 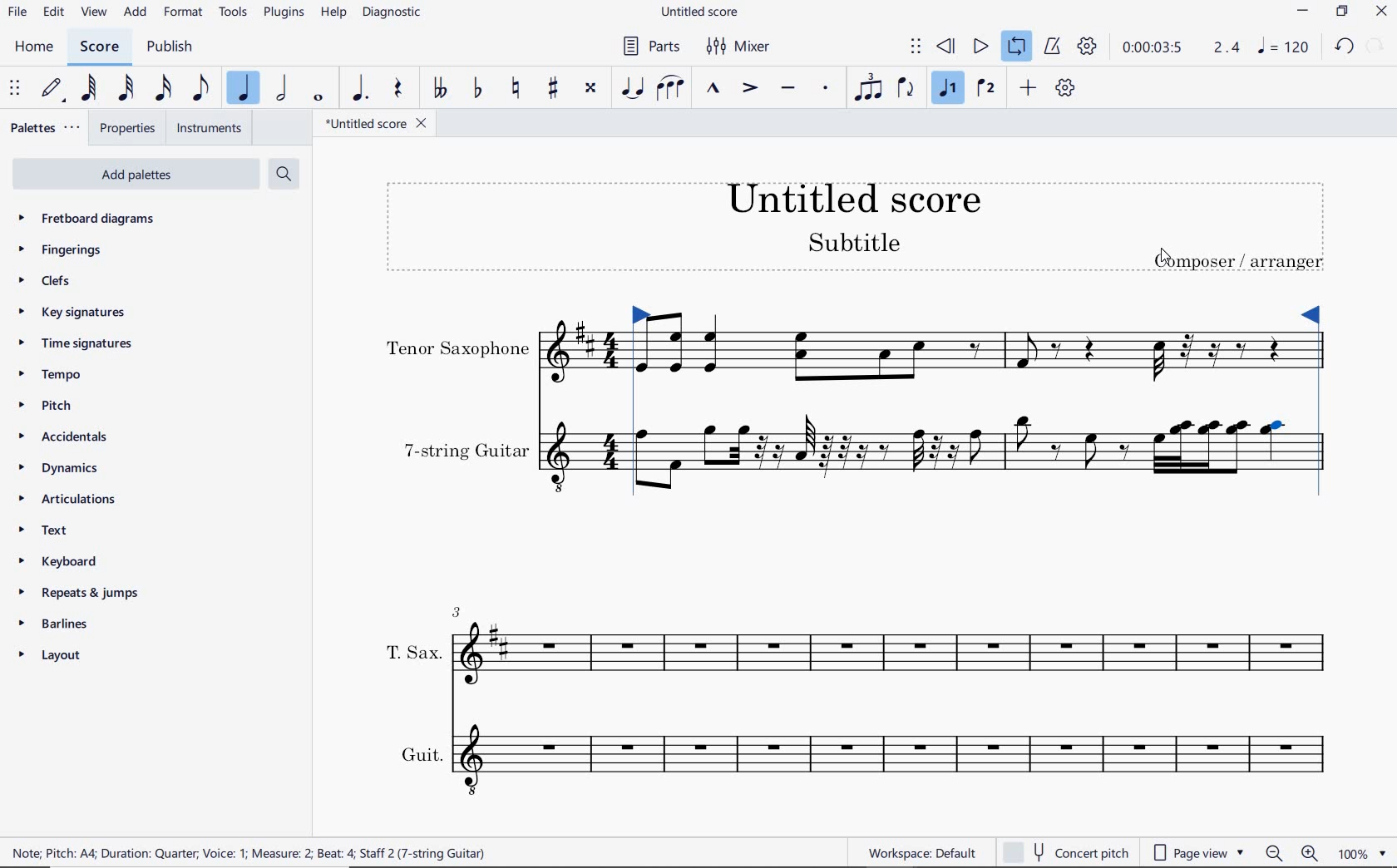 I want to click on cursor, so click(x=1163, y=261).